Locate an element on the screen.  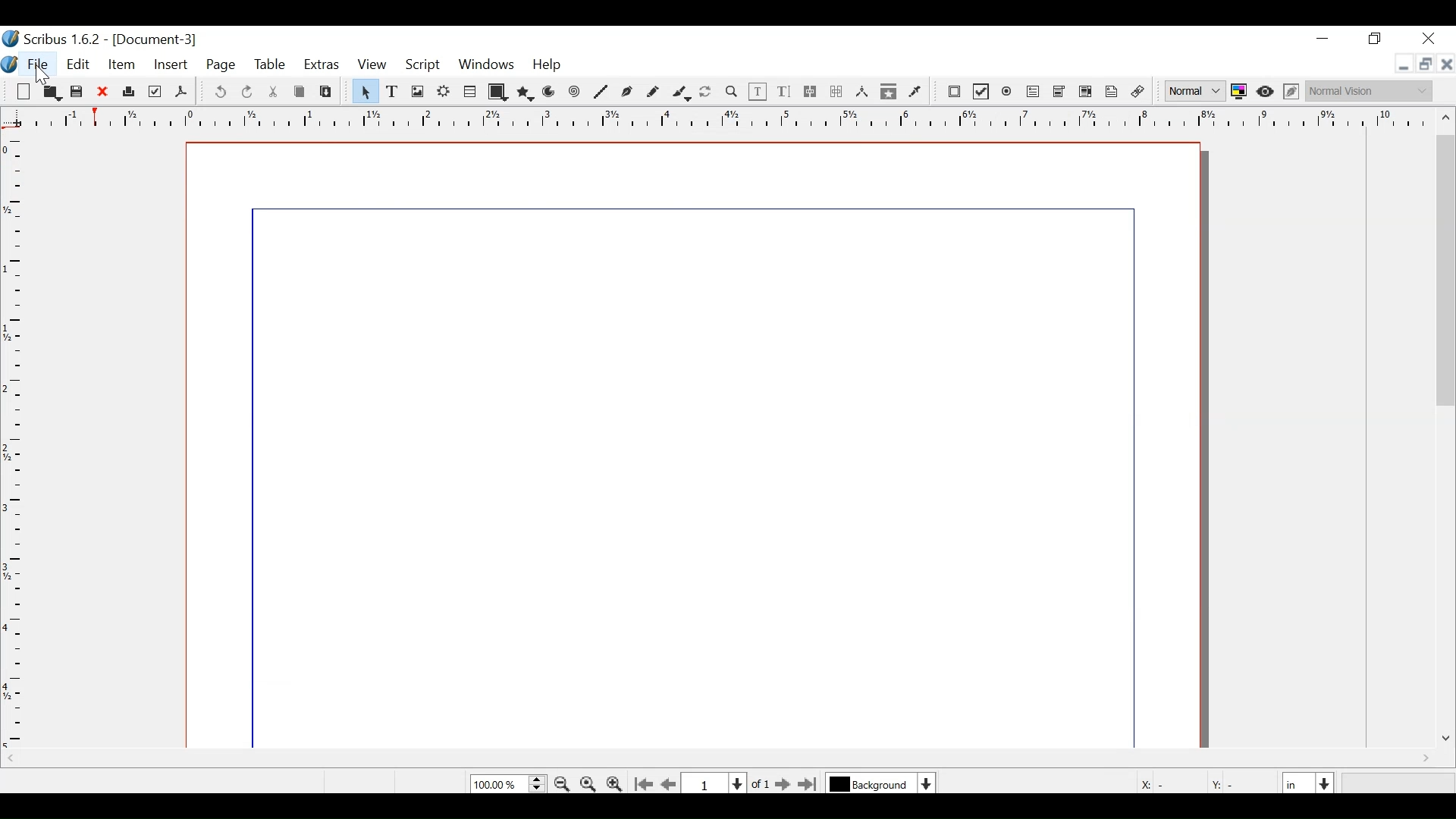
Cursor is located at coordinates (40, 80).